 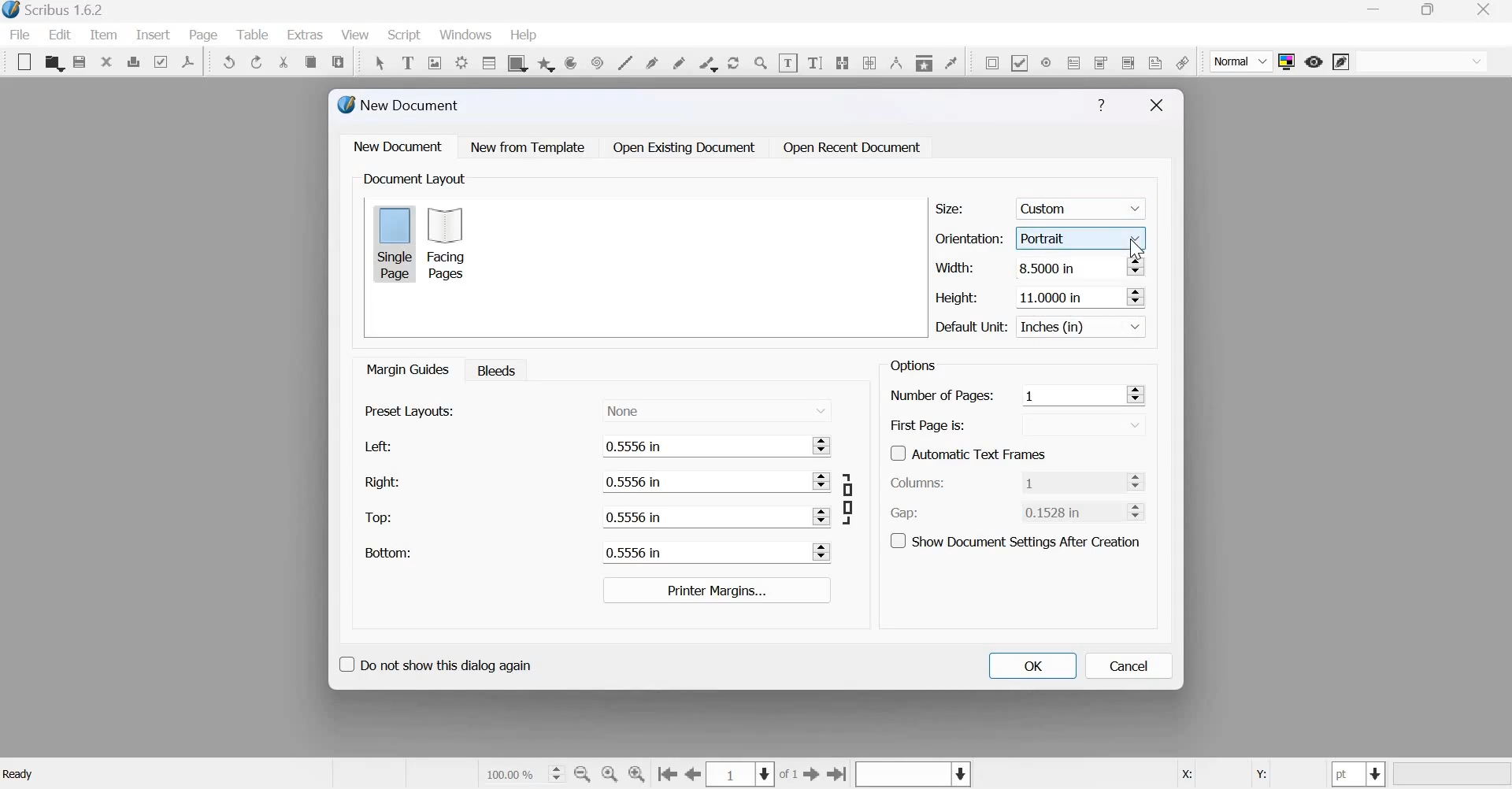 I want to click on arc, so click(x=570, y=62).